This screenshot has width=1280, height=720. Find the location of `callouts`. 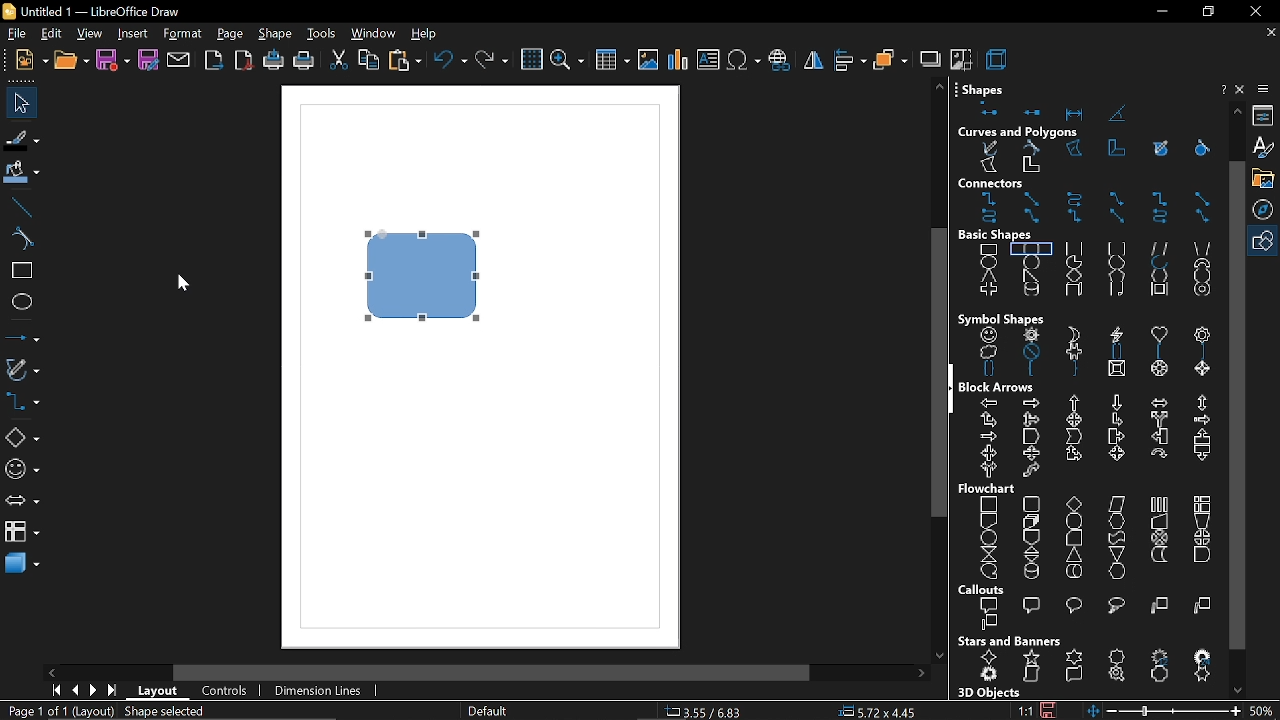

callouts is located at coordinates (985, 590).